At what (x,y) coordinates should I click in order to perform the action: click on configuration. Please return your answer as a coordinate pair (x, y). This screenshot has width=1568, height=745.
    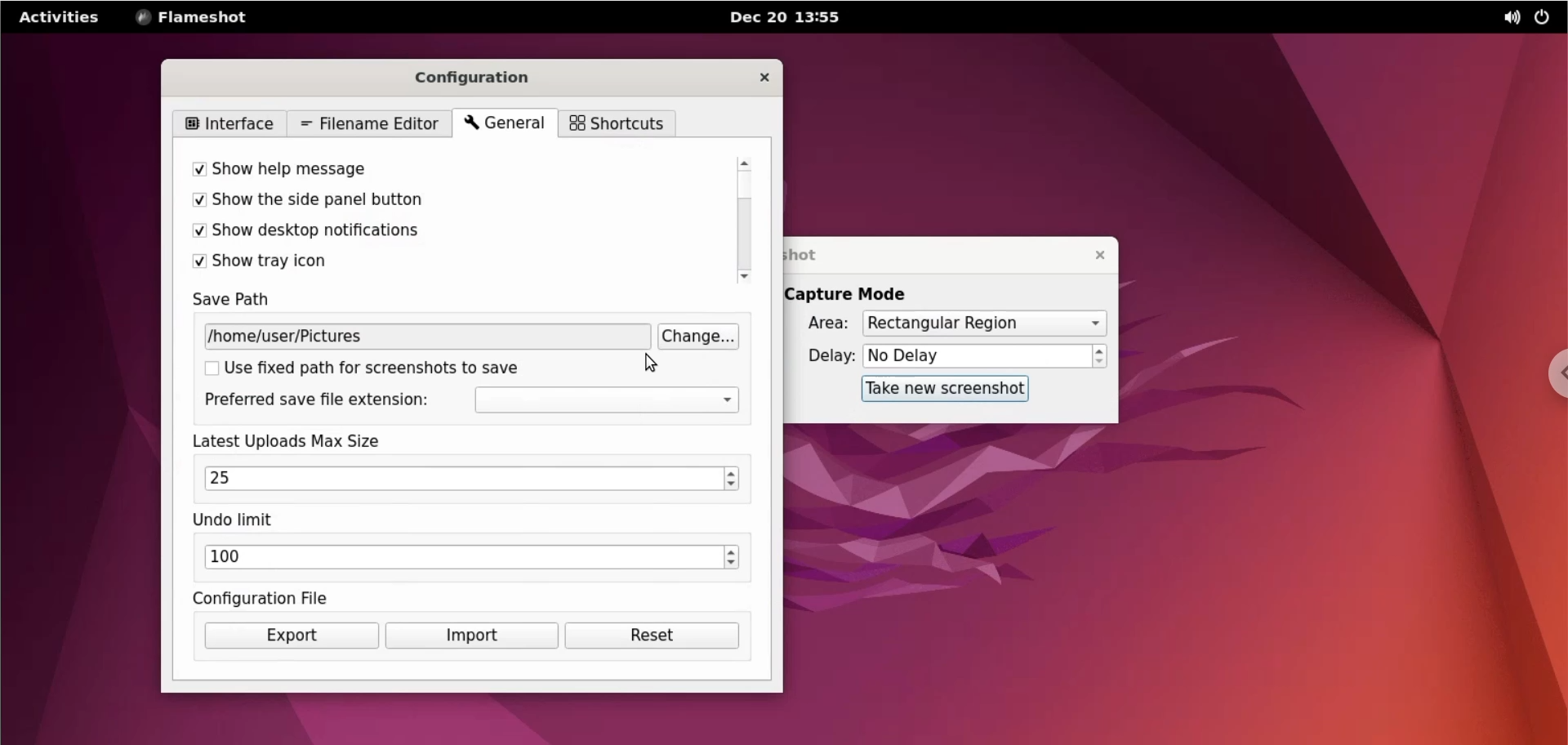
    Looking at the image, I should click on (489, 74).